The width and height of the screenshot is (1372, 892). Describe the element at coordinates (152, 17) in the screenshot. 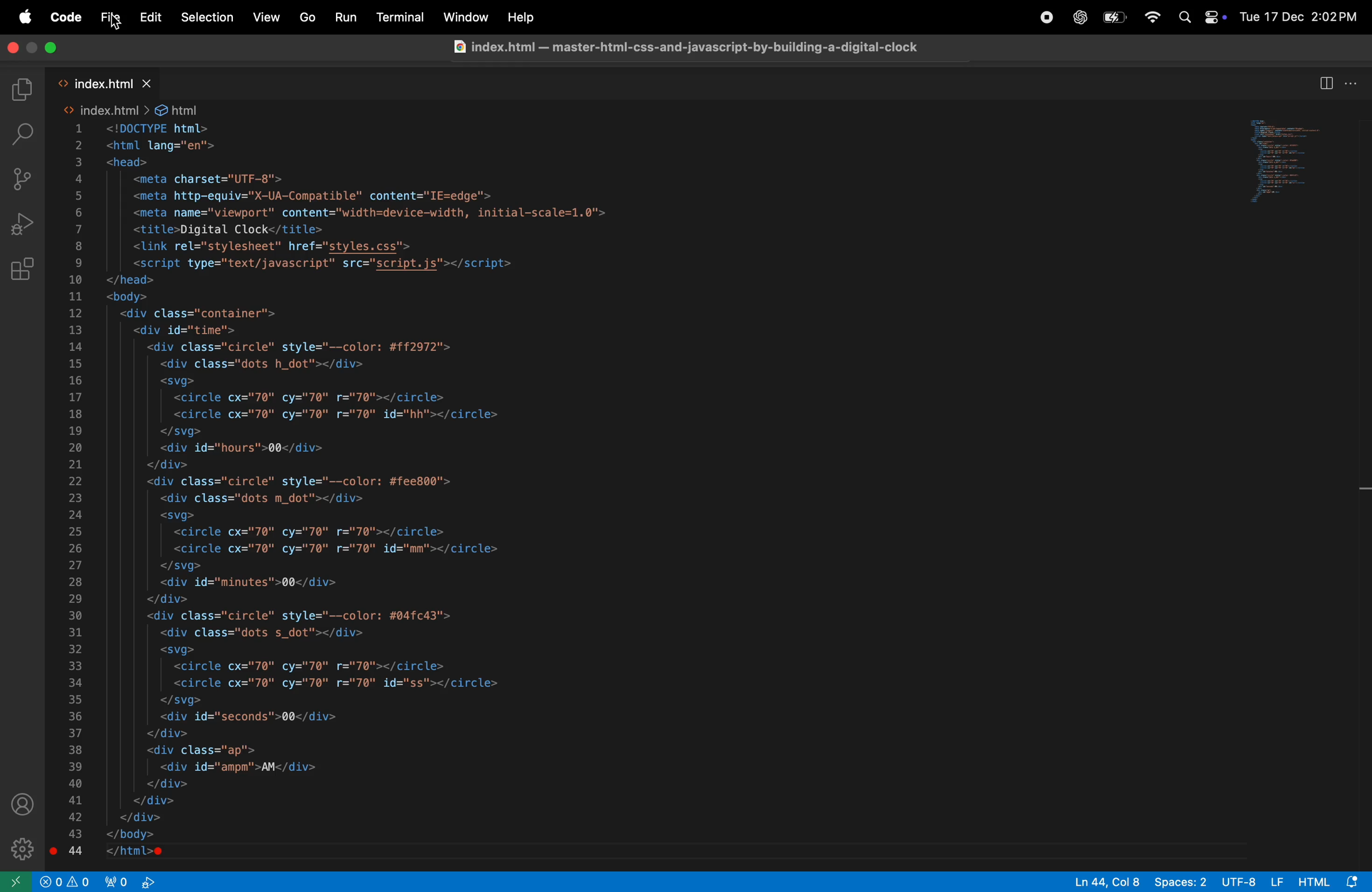

I see `edit` at that location.